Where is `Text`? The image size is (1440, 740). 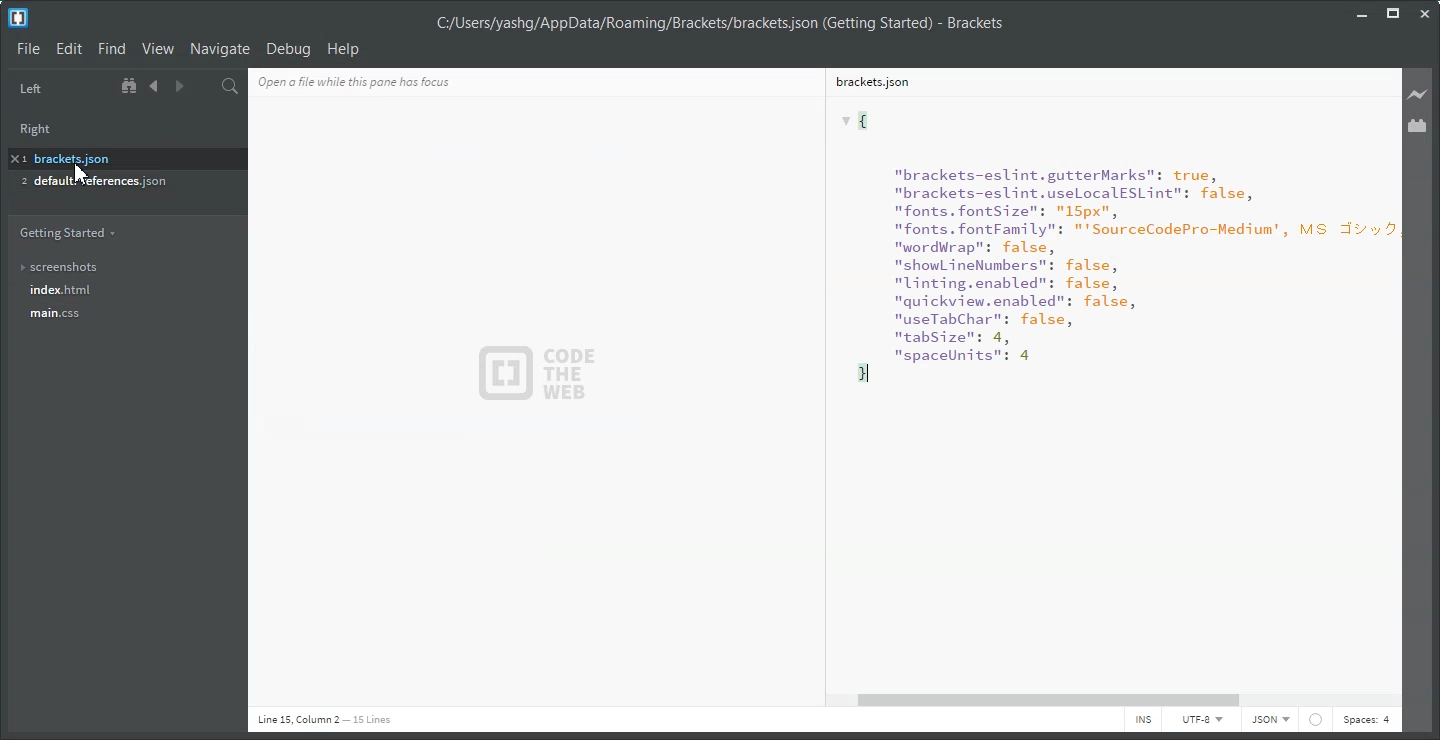 Text is located at coordinates (1106, 392).